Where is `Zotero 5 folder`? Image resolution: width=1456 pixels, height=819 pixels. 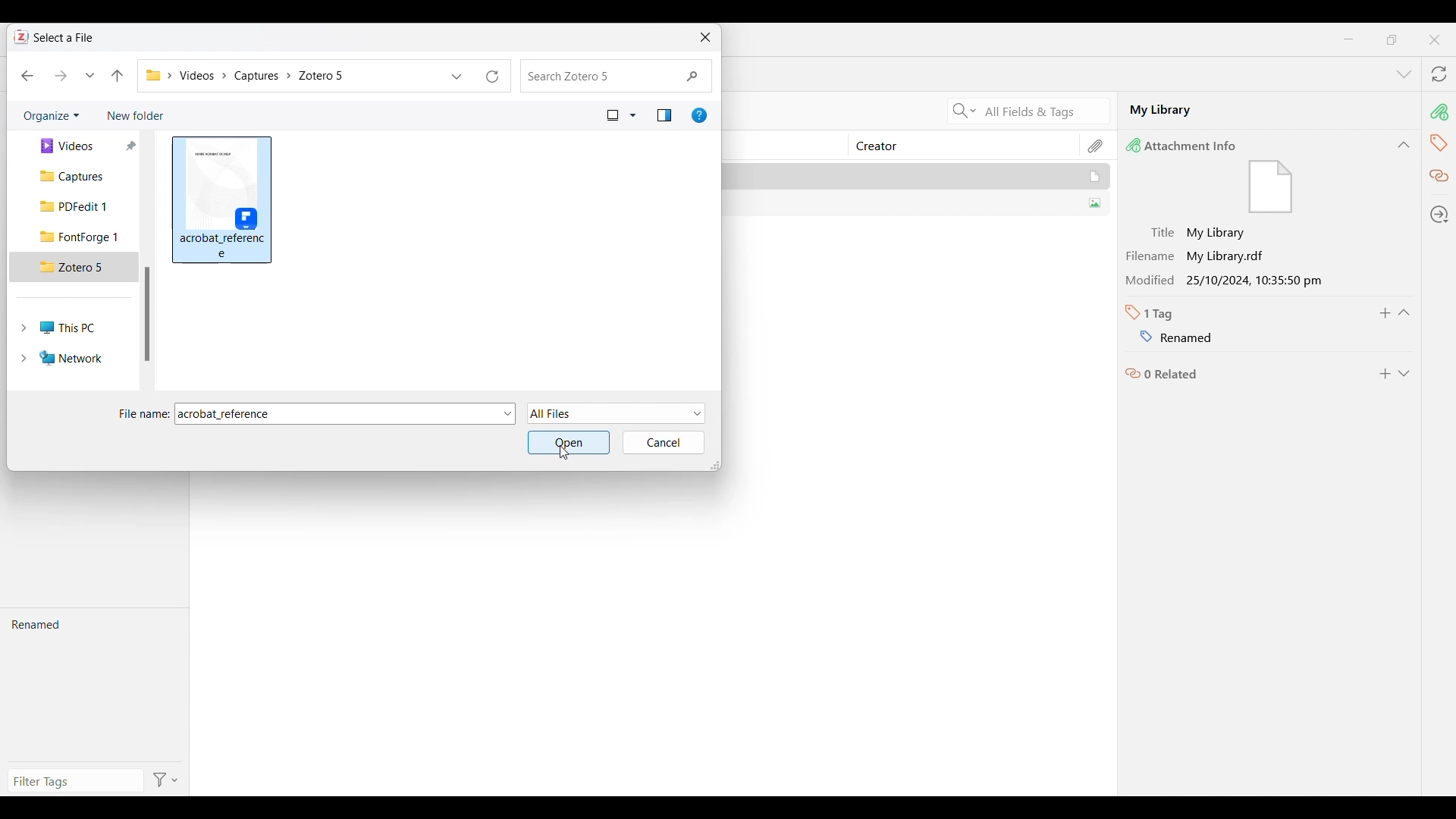 Zotero 5 folder is located at coordinates (77, 268).